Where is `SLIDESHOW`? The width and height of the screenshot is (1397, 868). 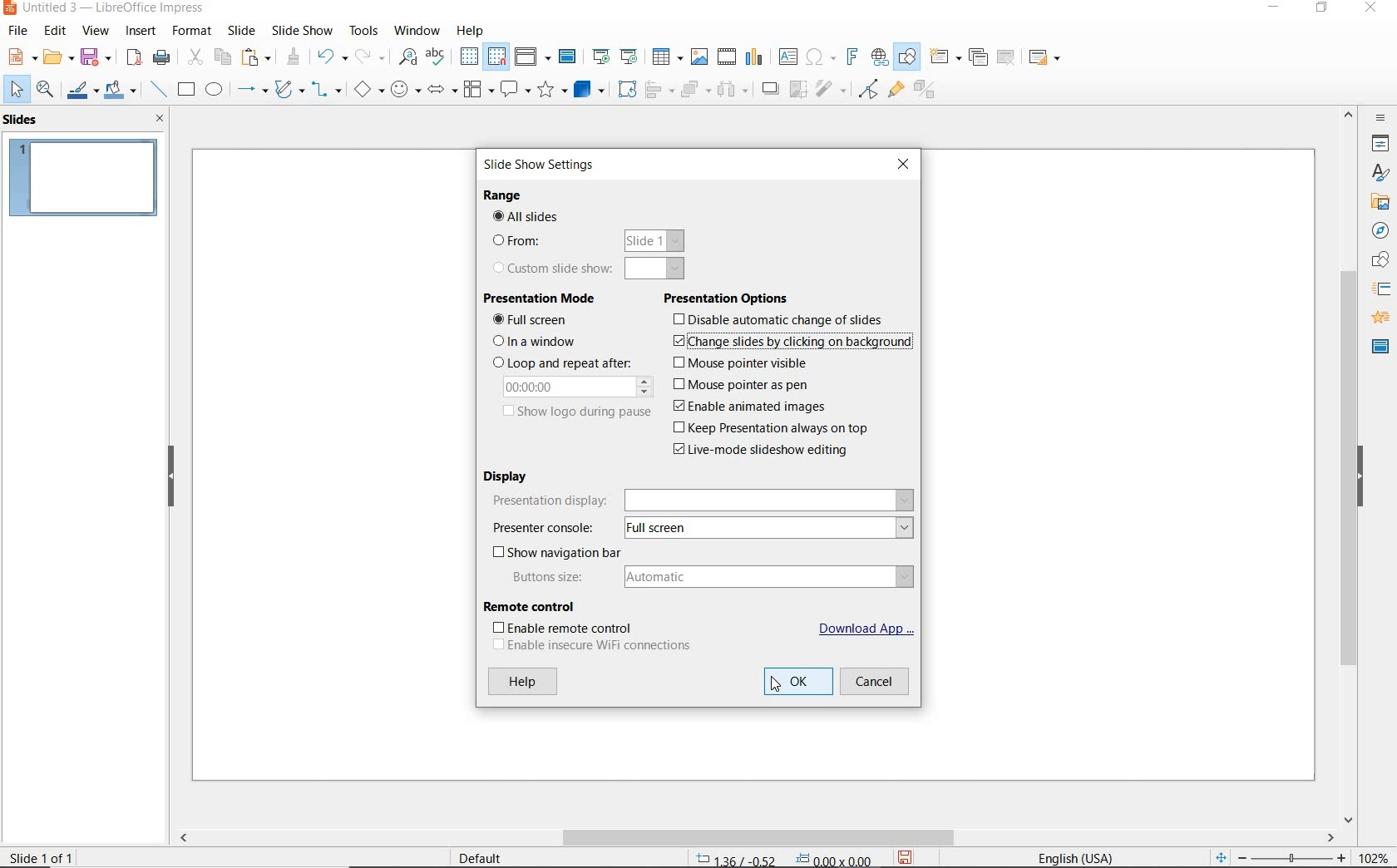 SLIDESHOW is located at coordinates (303, 31).